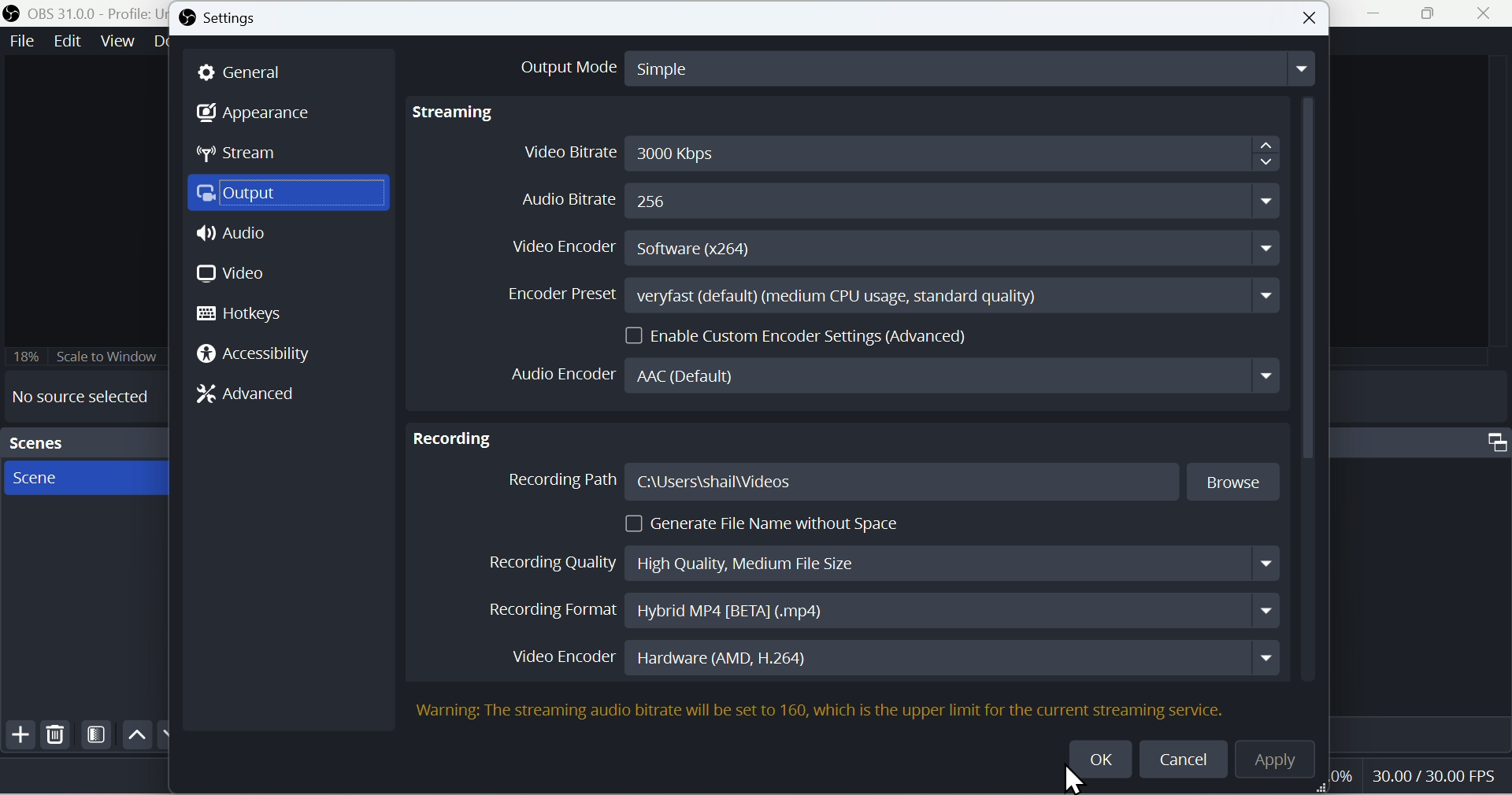  Describe the element at coordinates (900, 66) in the screenshot. I see `Output Mode` at that location.